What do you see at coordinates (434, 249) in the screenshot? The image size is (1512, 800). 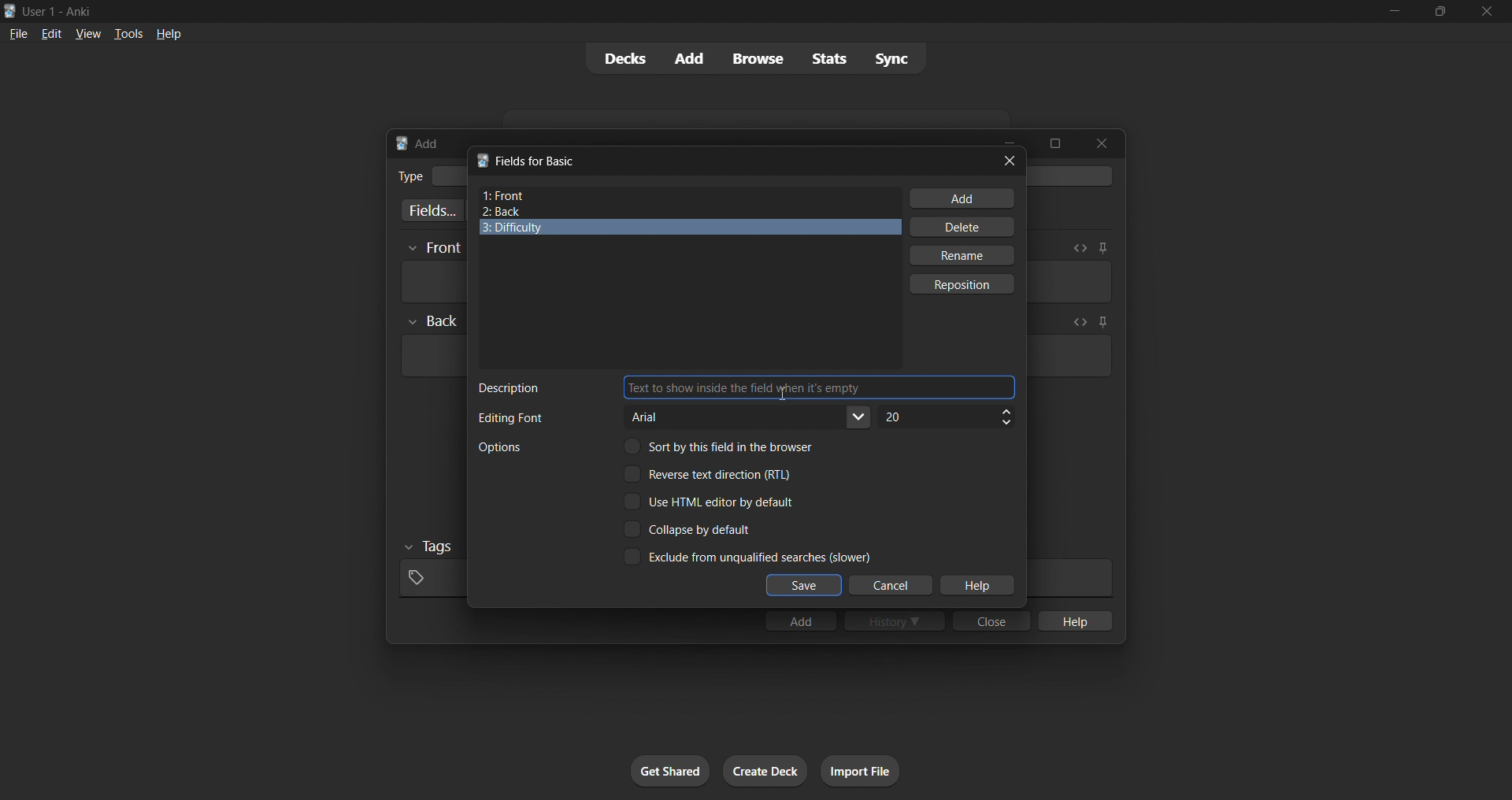 I see `` at bounding box center [434, 249].